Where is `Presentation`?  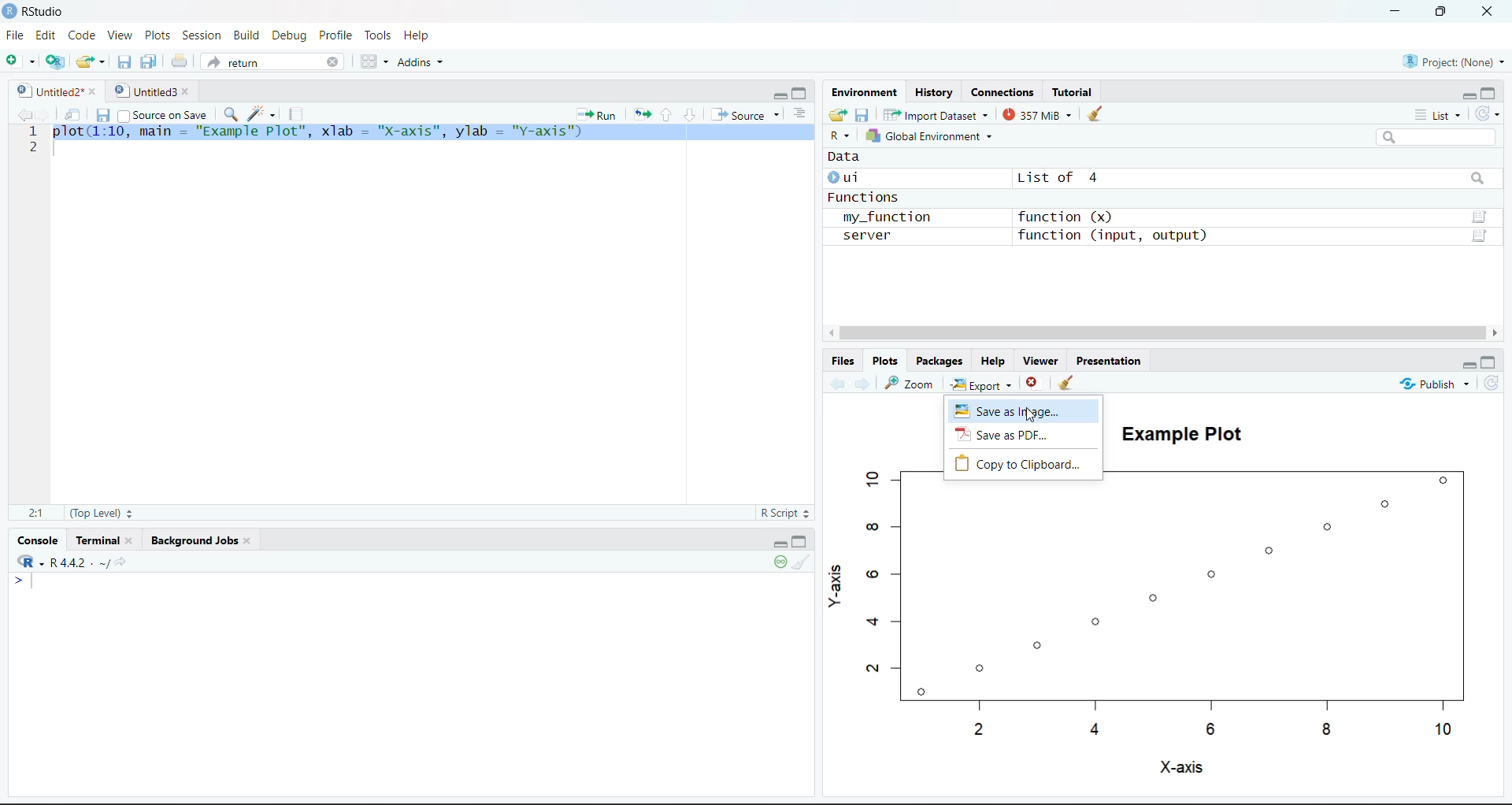 Presentation is located at coordinates (1107, 359).